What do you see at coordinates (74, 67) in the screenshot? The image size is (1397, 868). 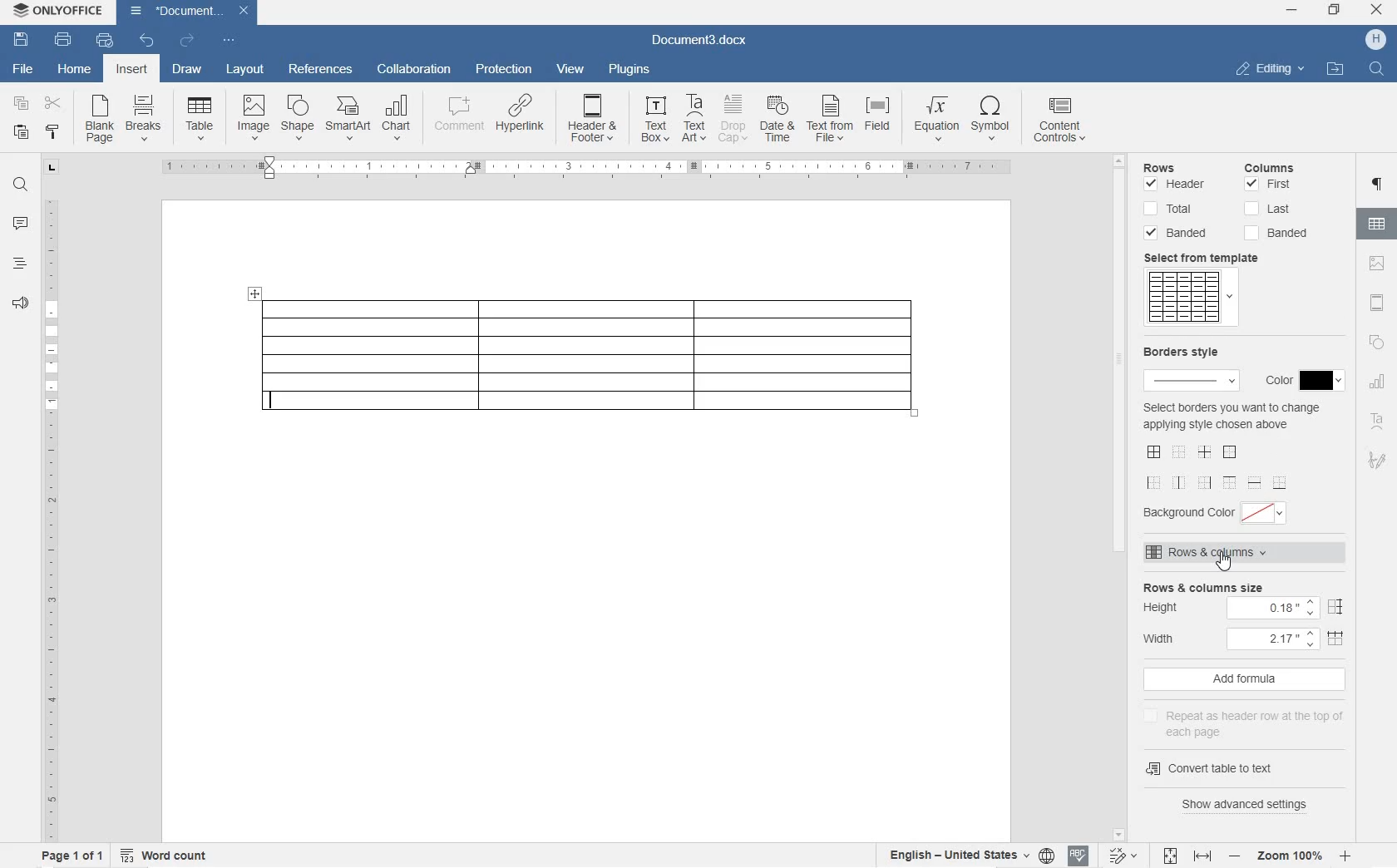 I see `HOME` at bounding box center [74, 67].